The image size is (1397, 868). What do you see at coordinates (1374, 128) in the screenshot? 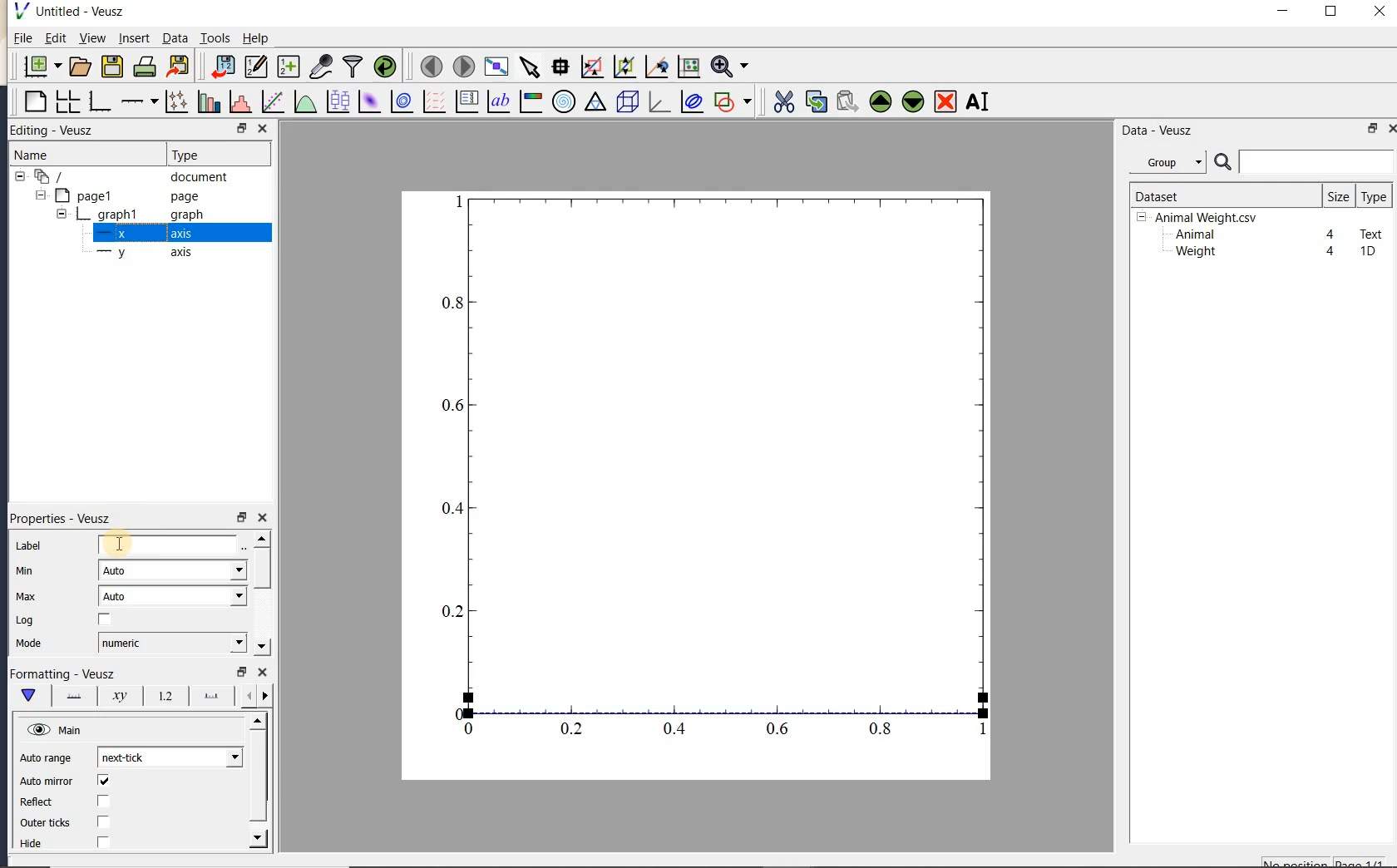
I see `restore` at bounding box center [1374, 128].